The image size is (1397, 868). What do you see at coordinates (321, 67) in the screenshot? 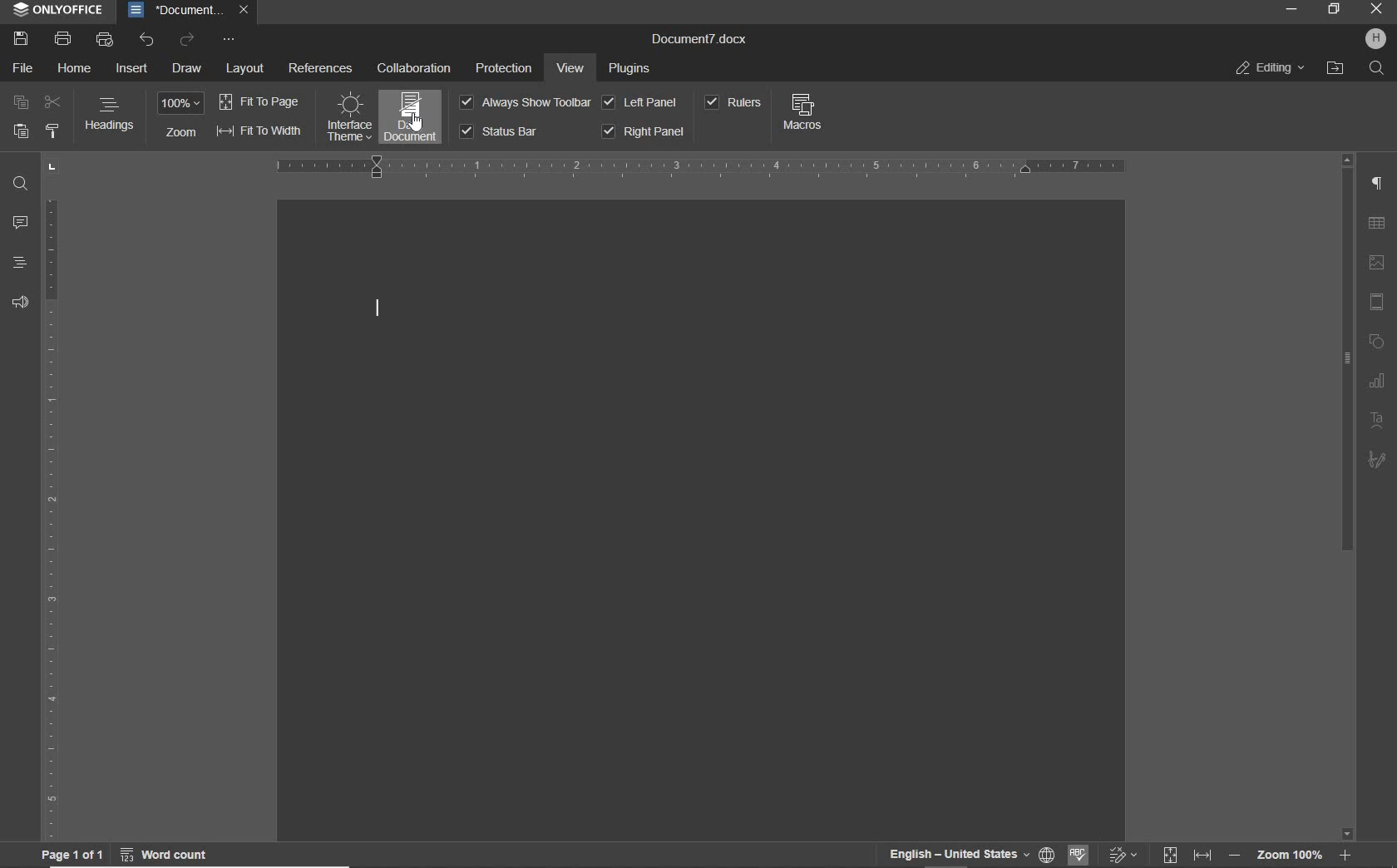
I see `REFERENCES` at bounding box center [321, 67].